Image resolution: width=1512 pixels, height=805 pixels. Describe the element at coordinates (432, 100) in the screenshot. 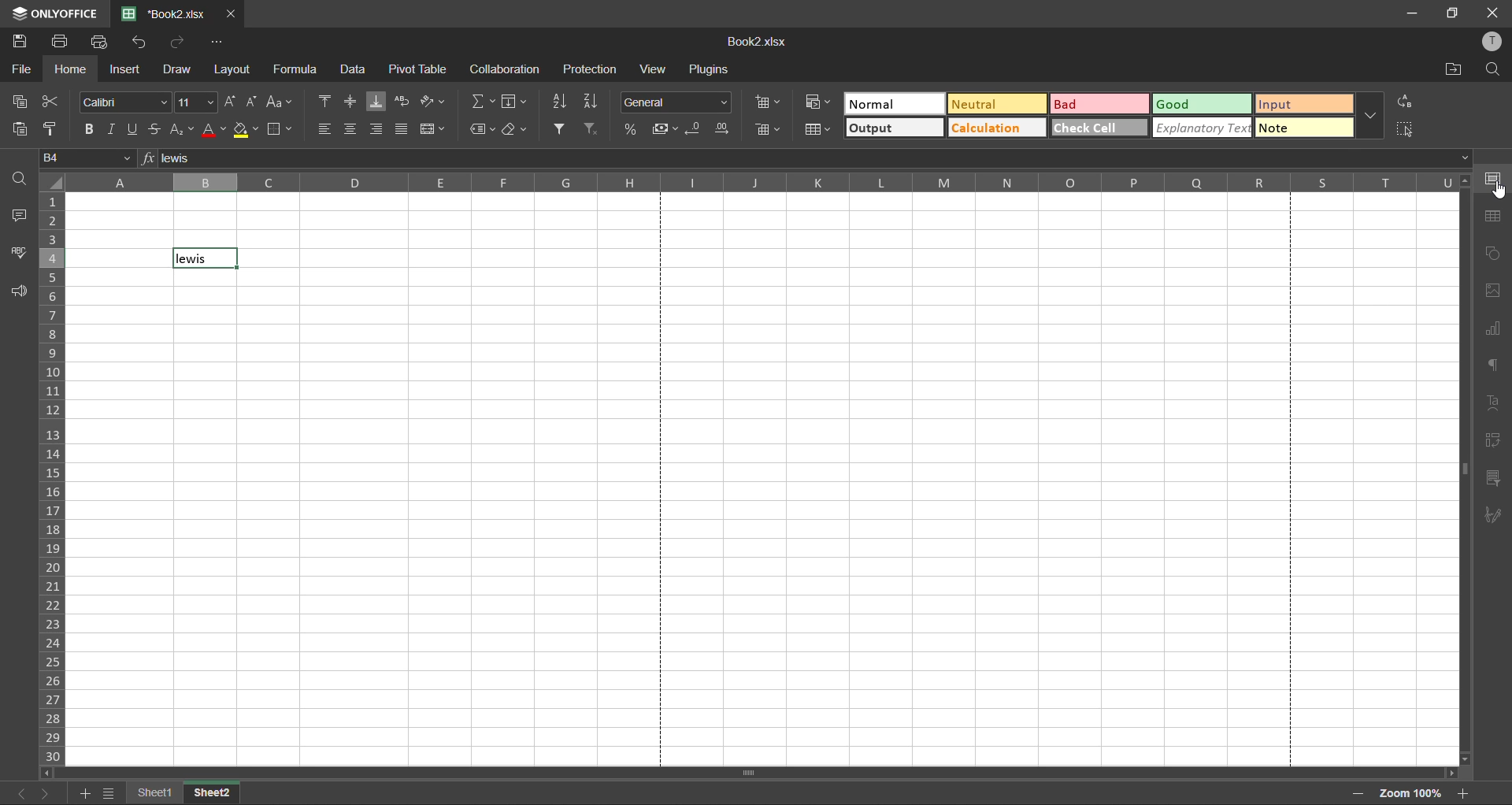

I see `orientation` at that location.